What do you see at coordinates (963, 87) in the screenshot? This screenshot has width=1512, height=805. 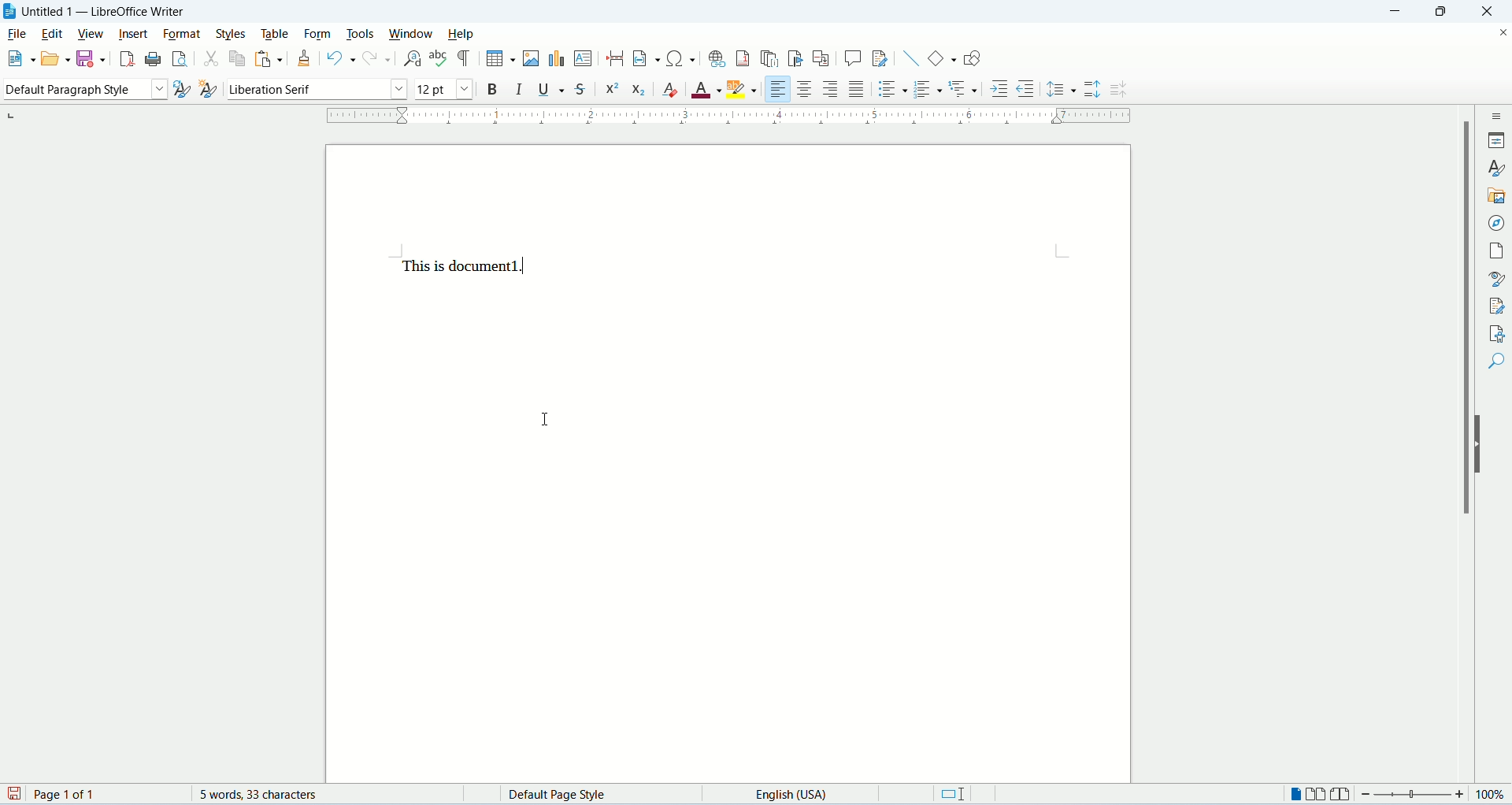 I see `format outline` at bounding box center [963, 87].